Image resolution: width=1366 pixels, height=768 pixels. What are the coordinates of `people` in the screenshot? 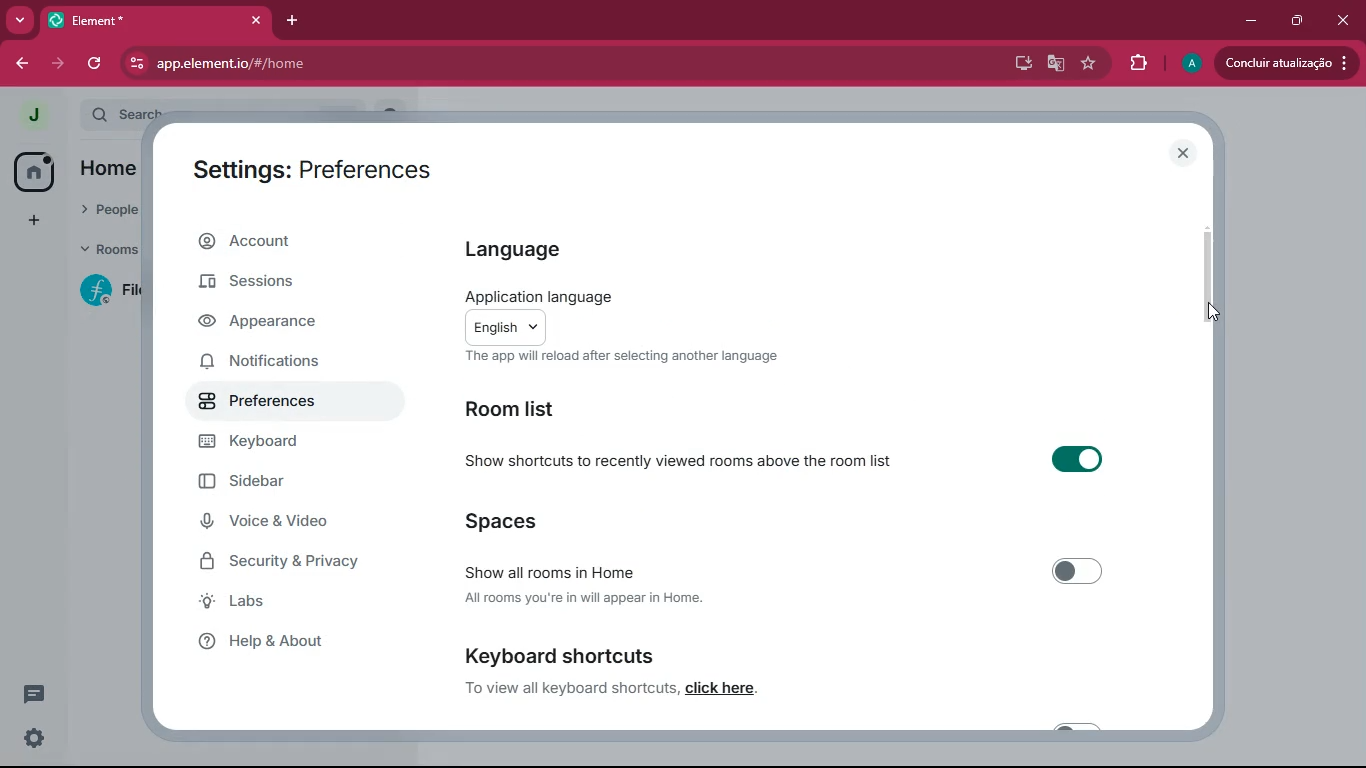 It's located at (112, 210).